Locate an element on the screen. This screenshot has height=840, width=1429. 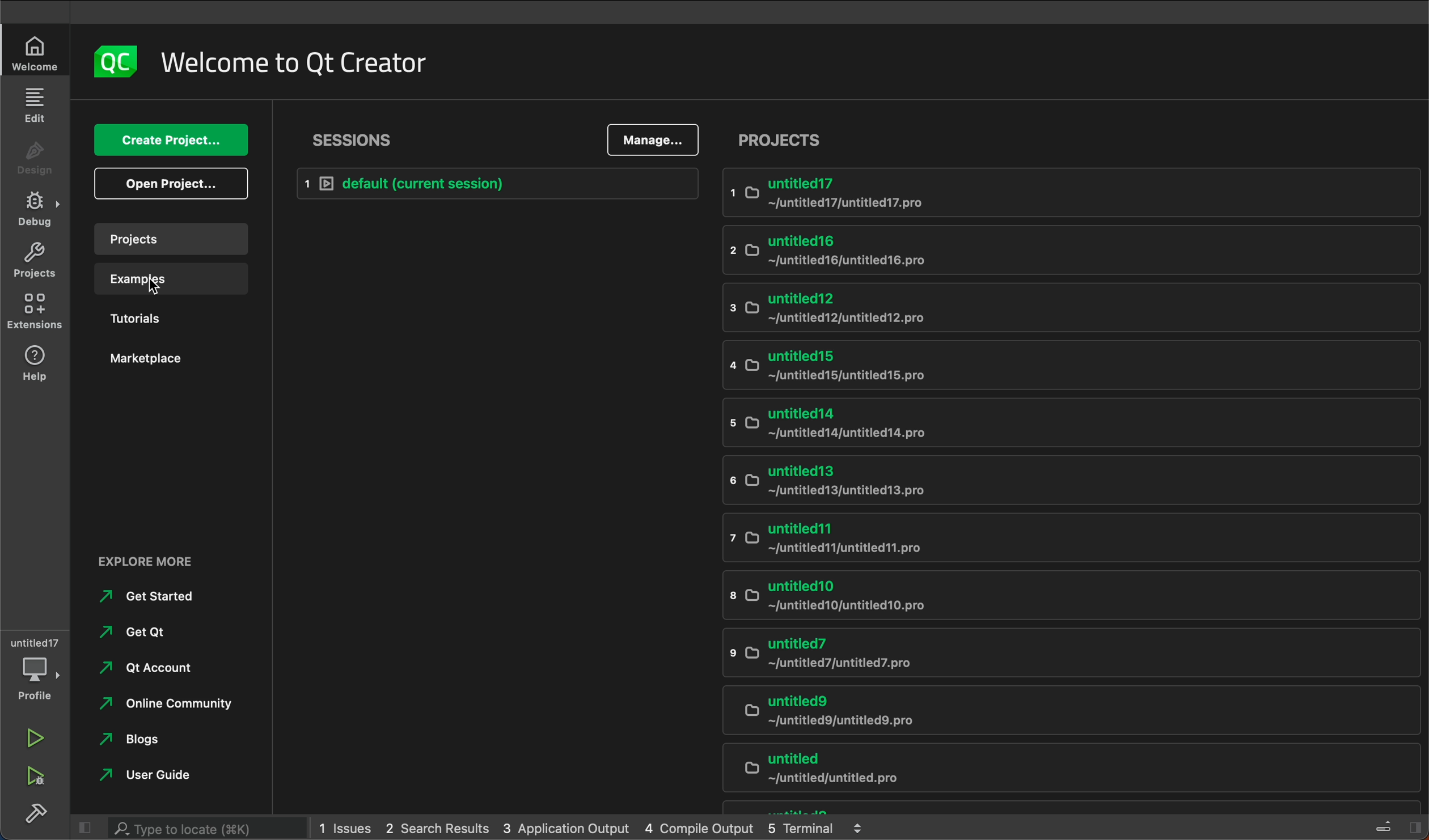
create is located at coordinates (166, 140).